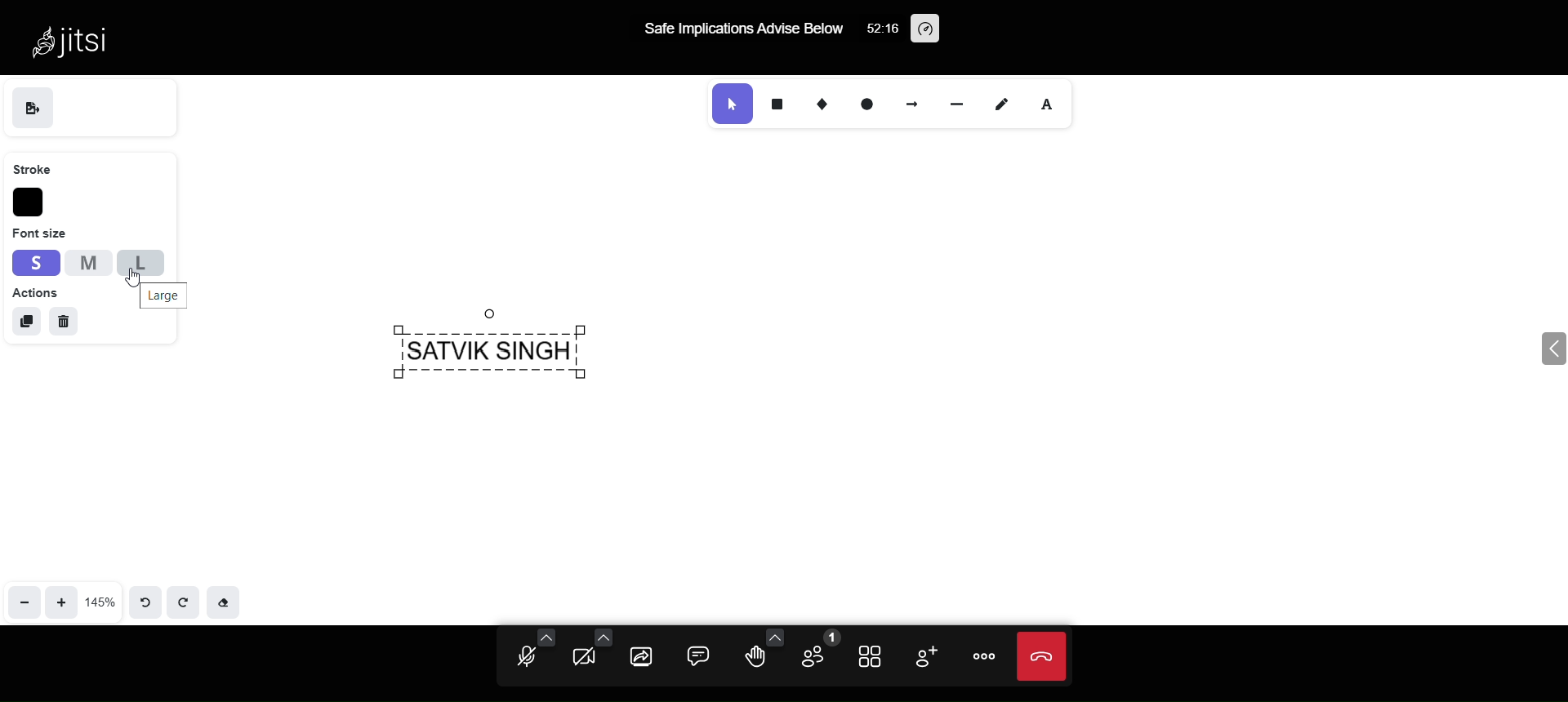 This screenshot has height=702, width=1568. What do you see at coordinates (100, 601) in the screenshot?
I see `white board size` at bounding box center [100, 601].